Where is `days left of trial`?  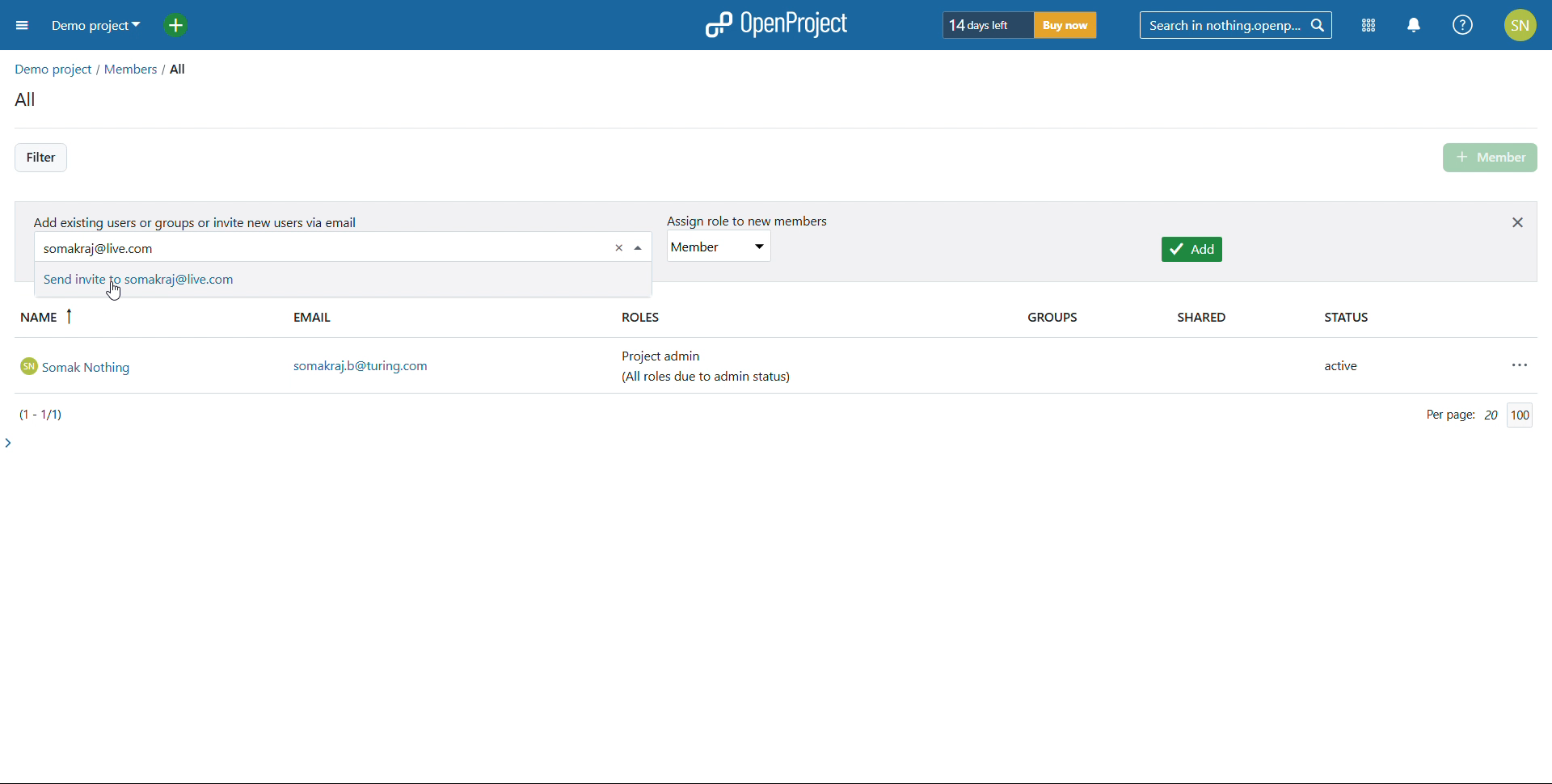 days left of trial is located at coordinates (984, 24).